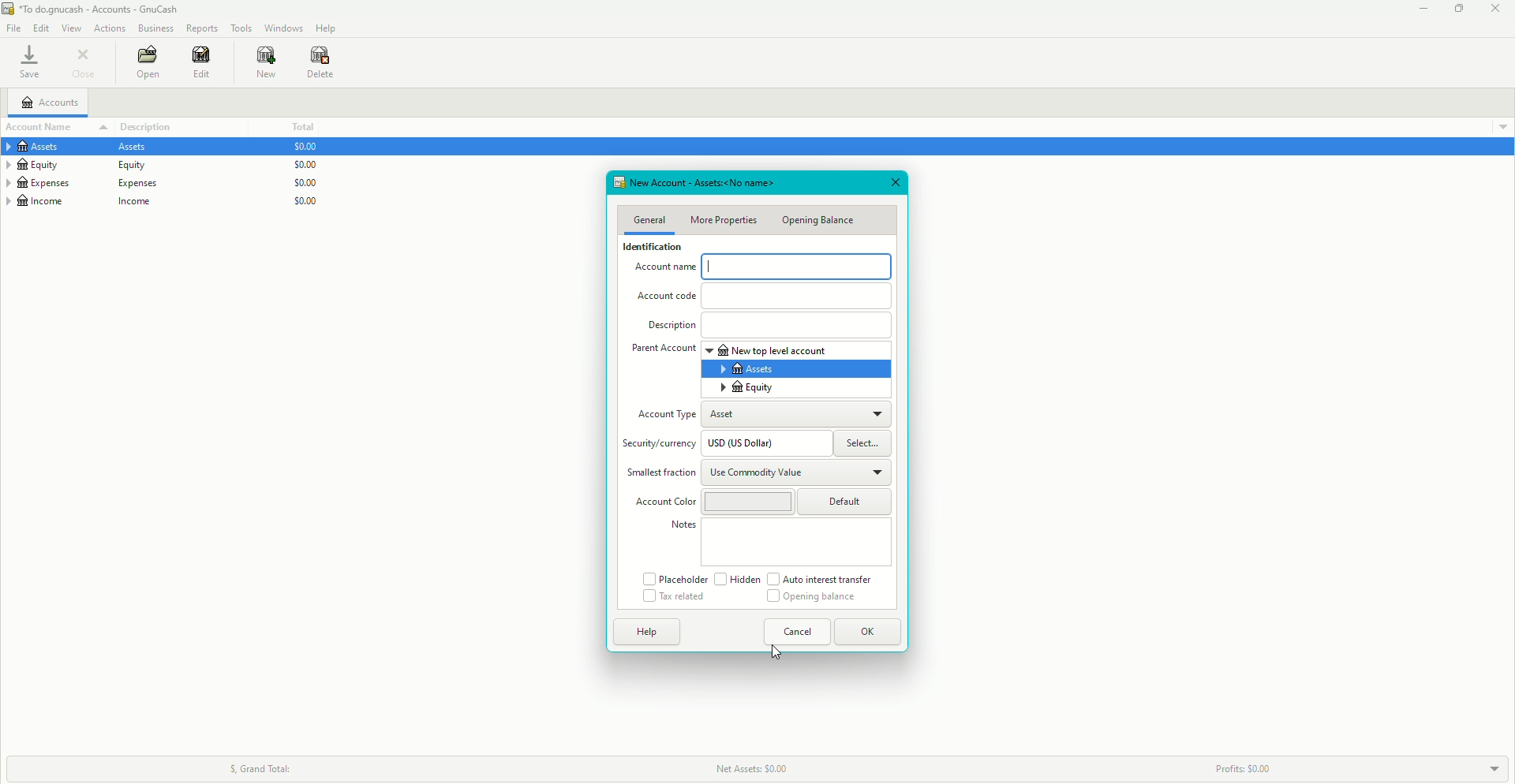 The height and width of the screenshot is (784, 1515). I want to click on Edit, so click(198, 63).